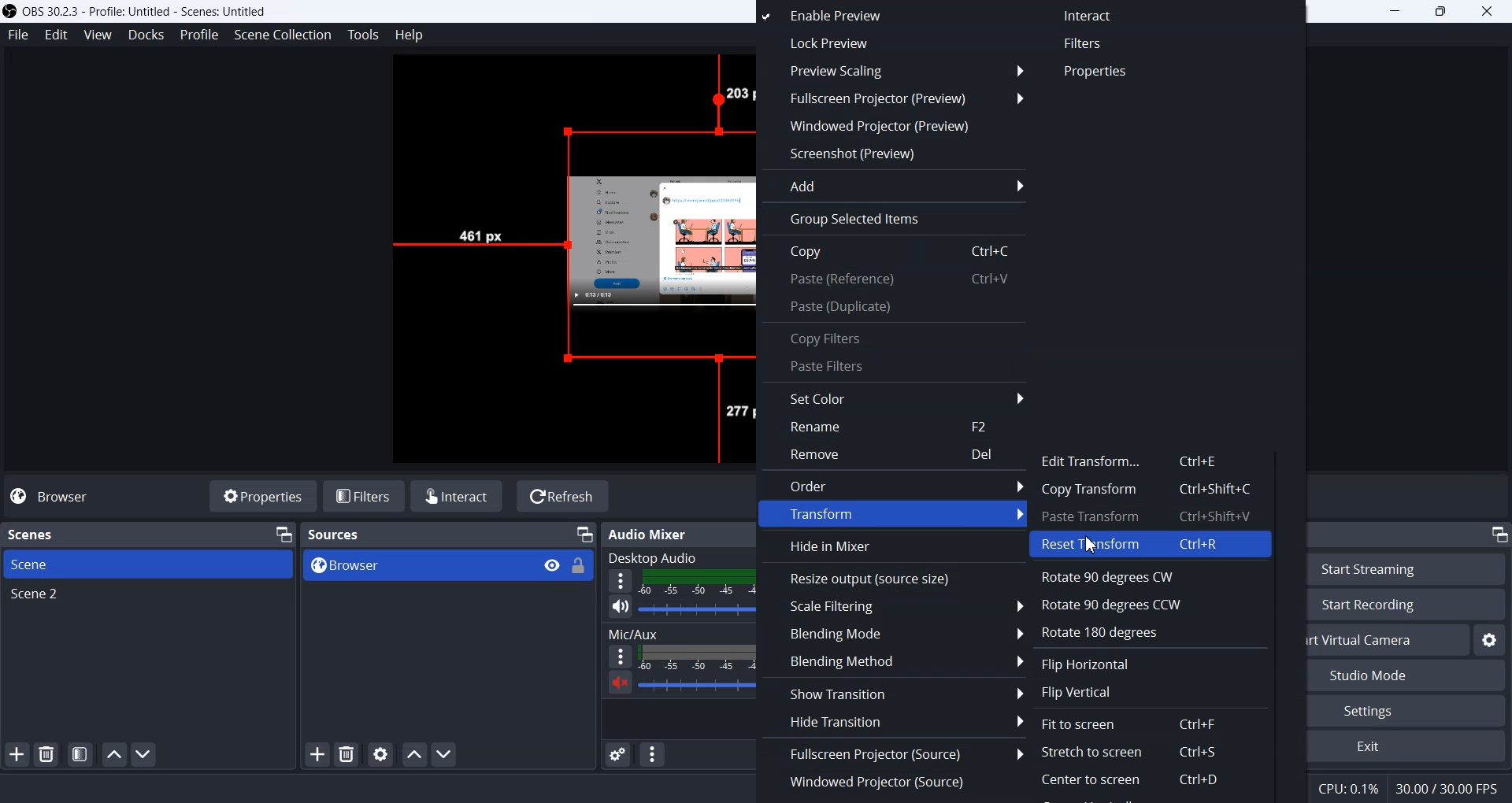 The width and height of the screenshot is (1512, 803). Describe the element at coordinates (1405, 709) in the screenshot. I see `Settings` at that location.